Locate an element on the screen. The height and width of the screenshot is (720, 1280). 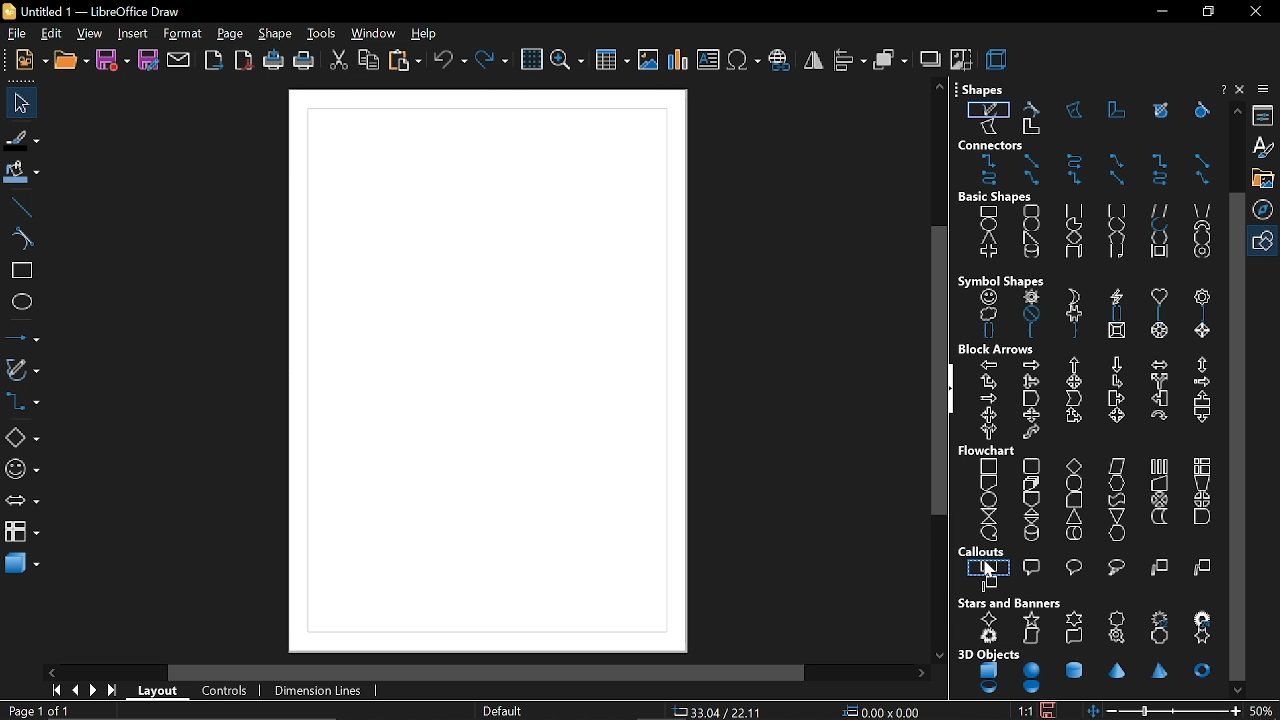
current window is located at coordinates (102, 10).